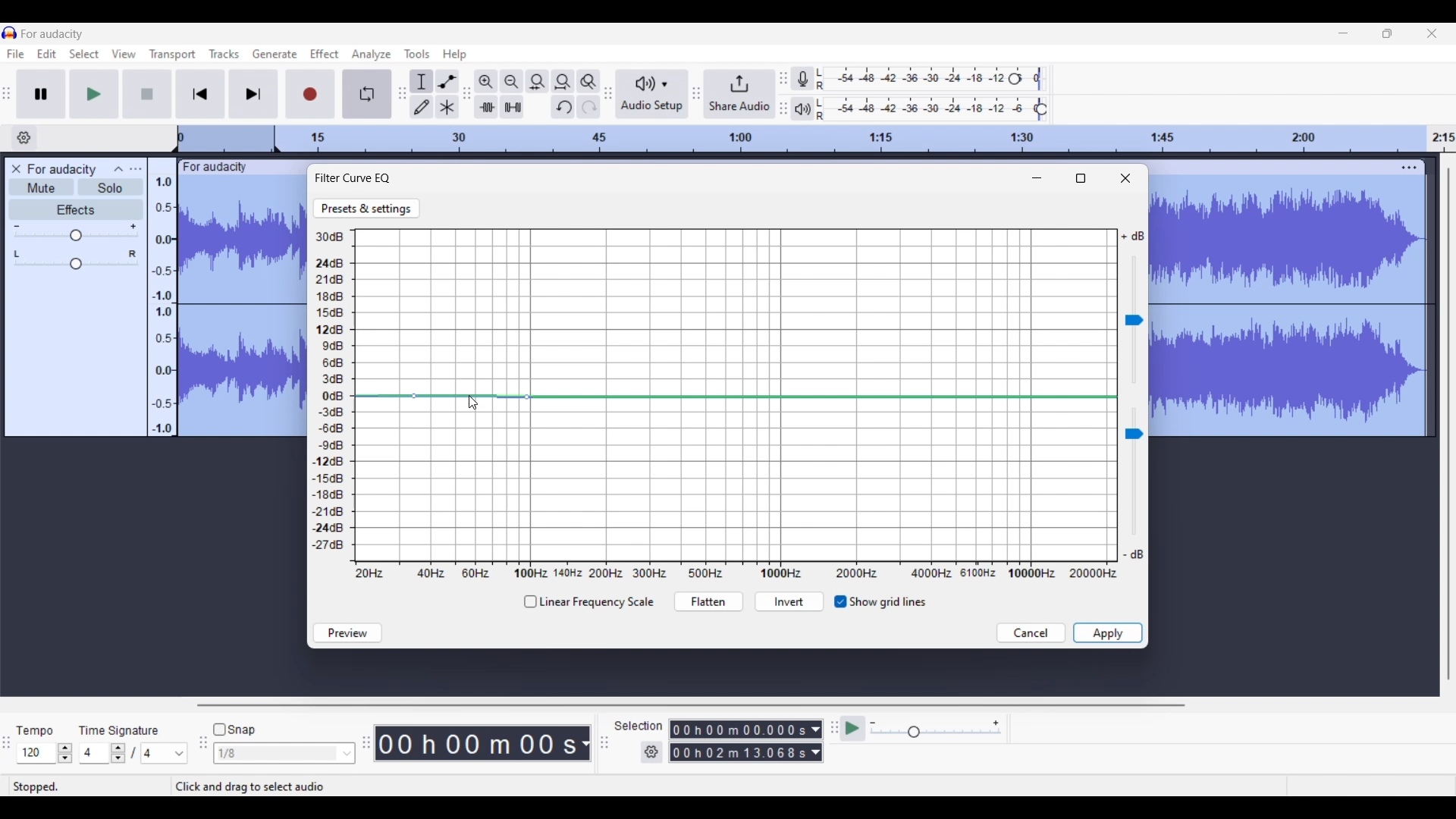 The height and width of the screenshot is (819, 1456). I want to click on Slight change in curve due to addition of another point, so click(470, 397).